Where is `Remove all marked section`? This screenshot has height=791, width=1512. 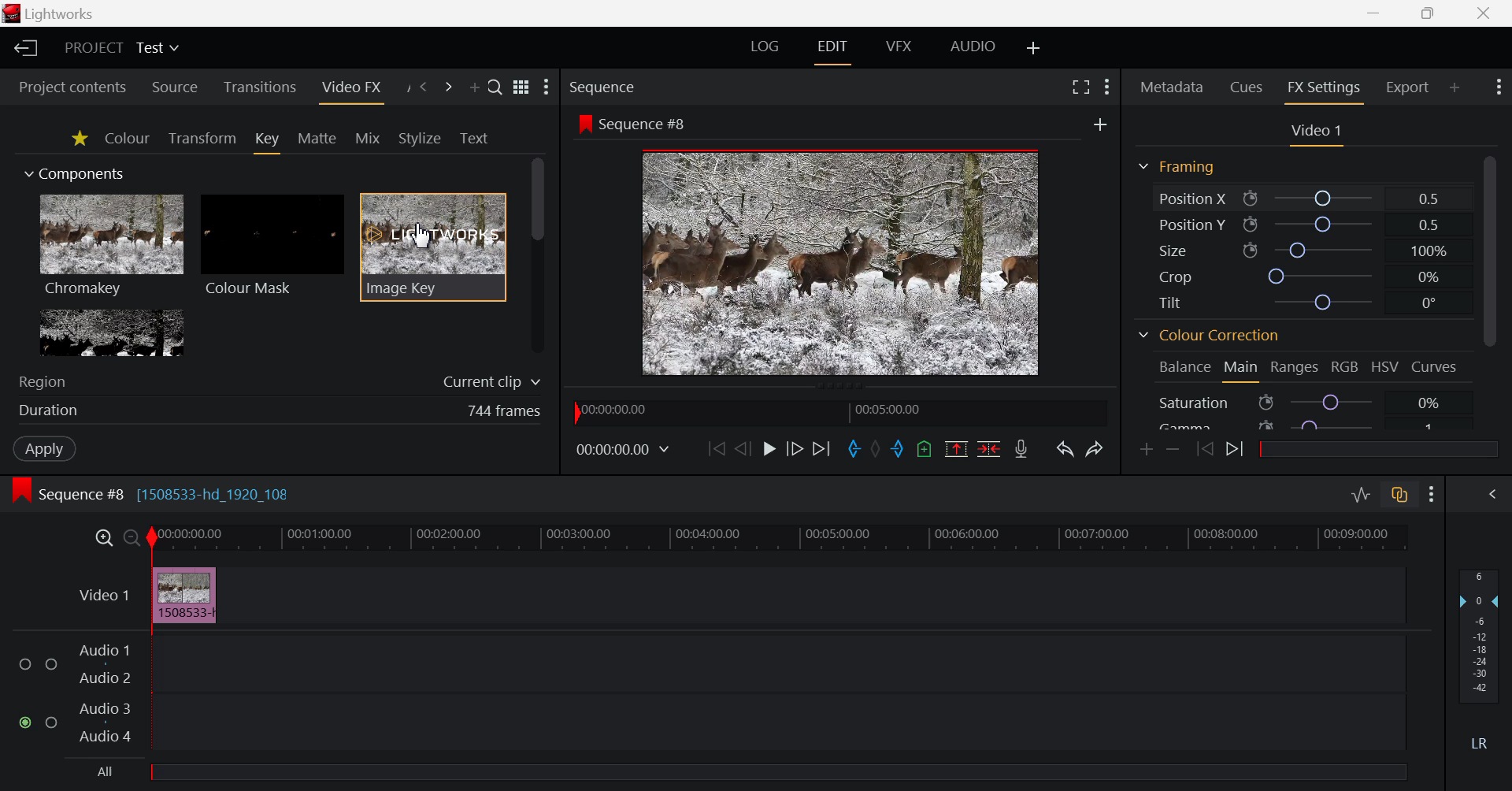
Remove all marked section is located at coordinates (956, 450).